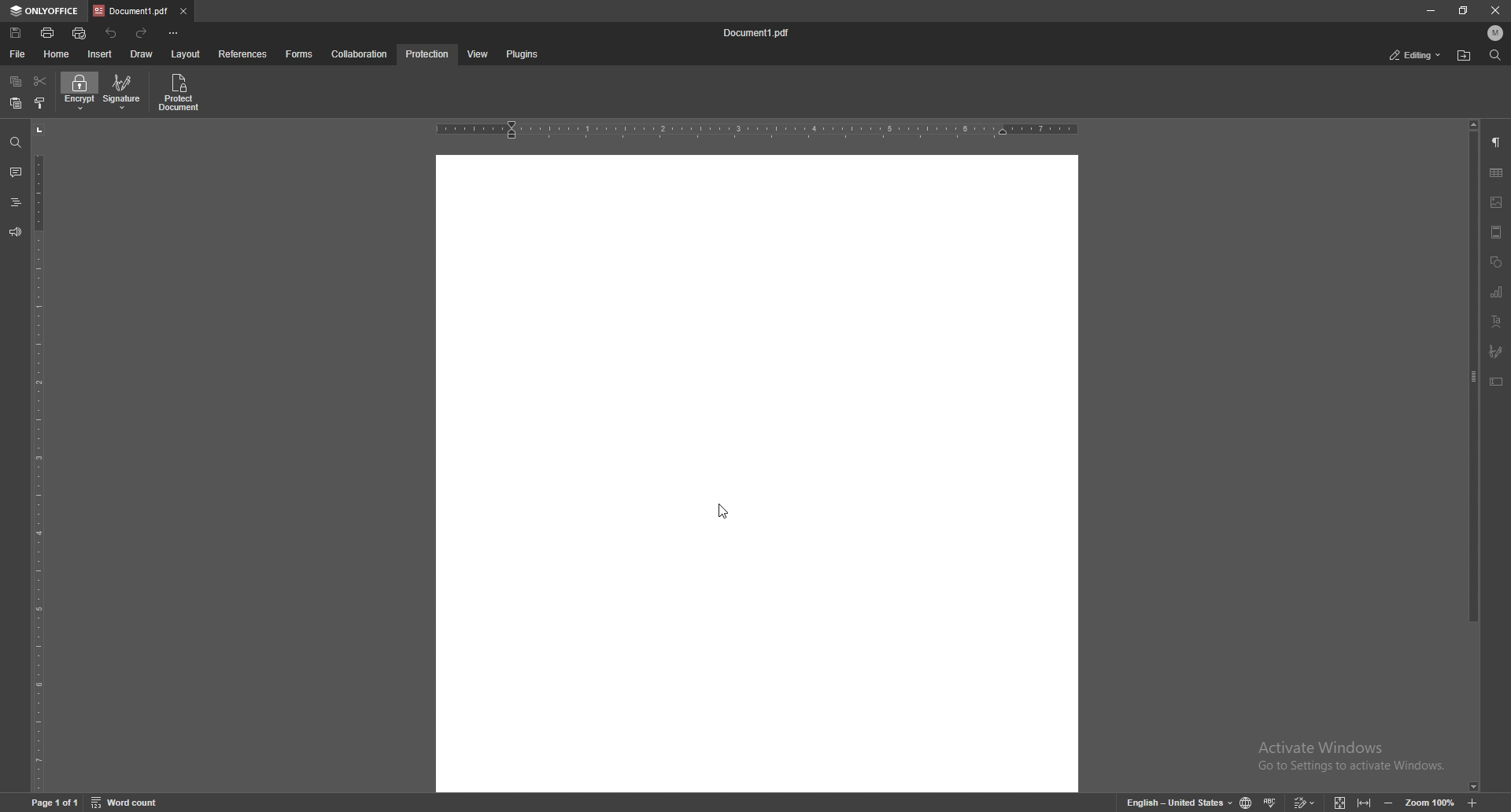 The height and width of the screenshot is (812, 1511). Describe the element at coordinates (99, 55) in the screenshot. I see `insert` at that location.